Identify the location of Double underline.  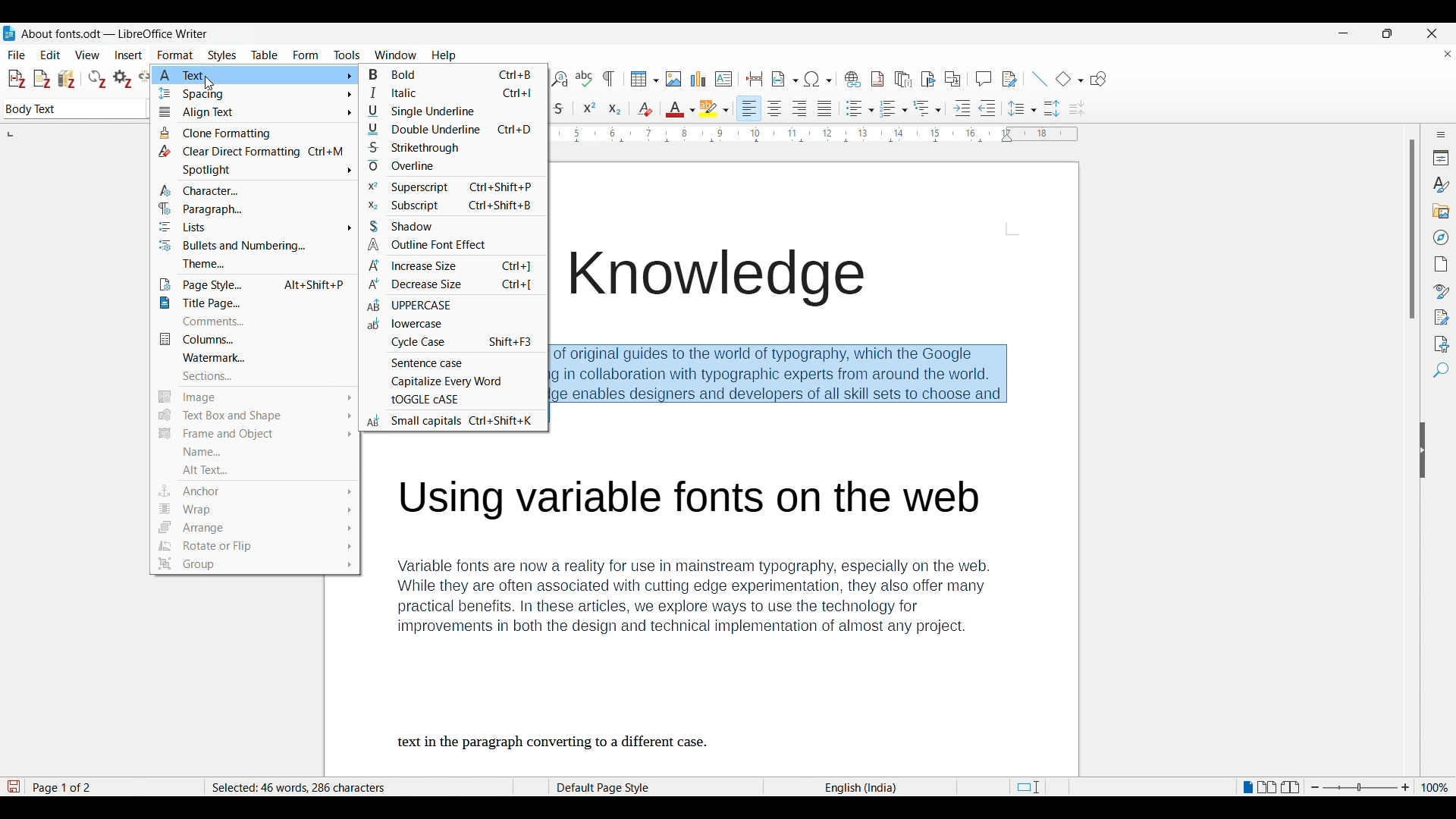
(450, 130).